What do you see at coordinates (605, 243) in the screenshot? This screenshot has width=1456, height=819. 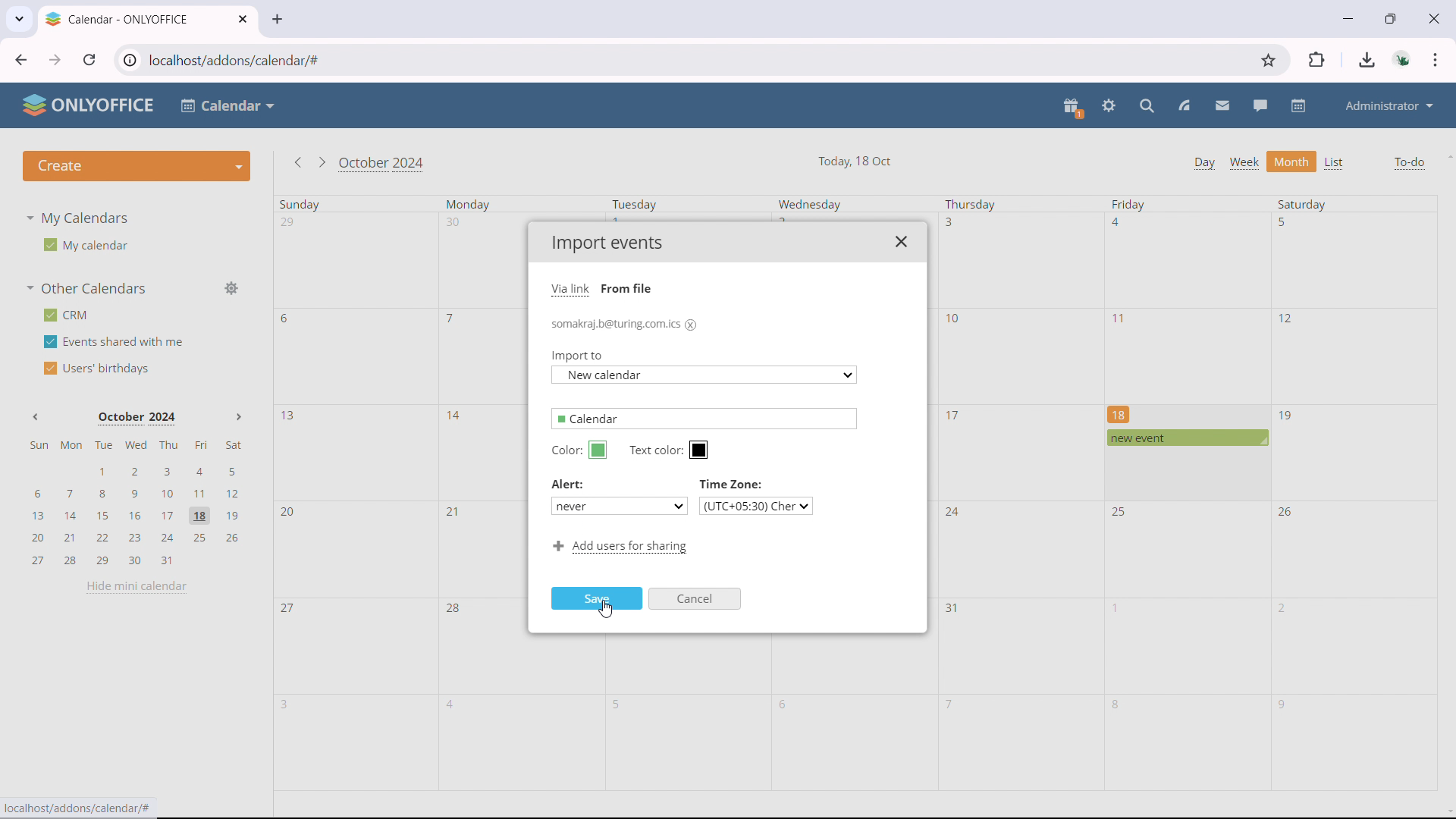 I see `Import events` at bounding box center [605, 243].